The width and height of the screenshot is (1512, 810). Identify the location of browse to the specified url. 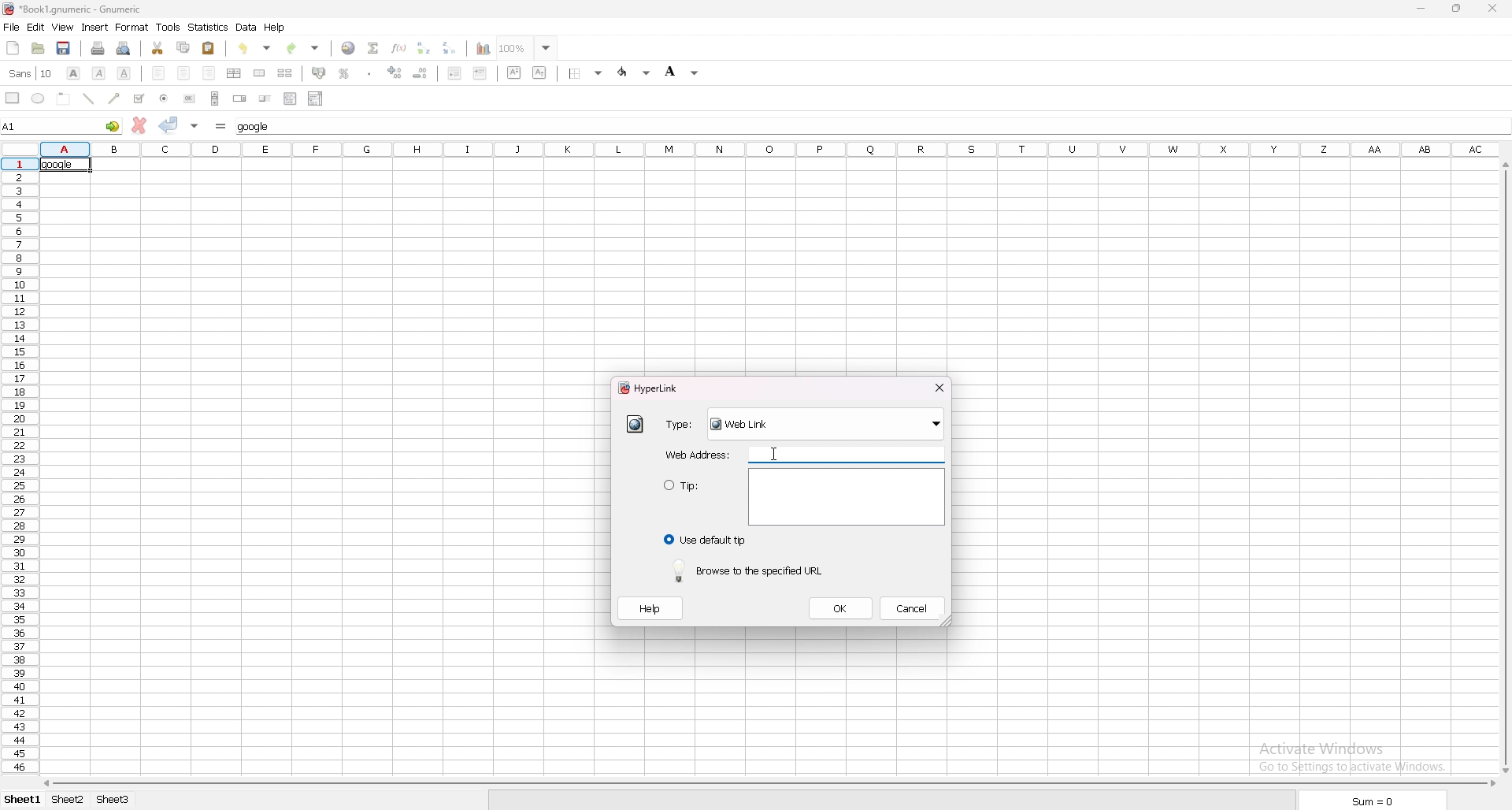
(750, 570).